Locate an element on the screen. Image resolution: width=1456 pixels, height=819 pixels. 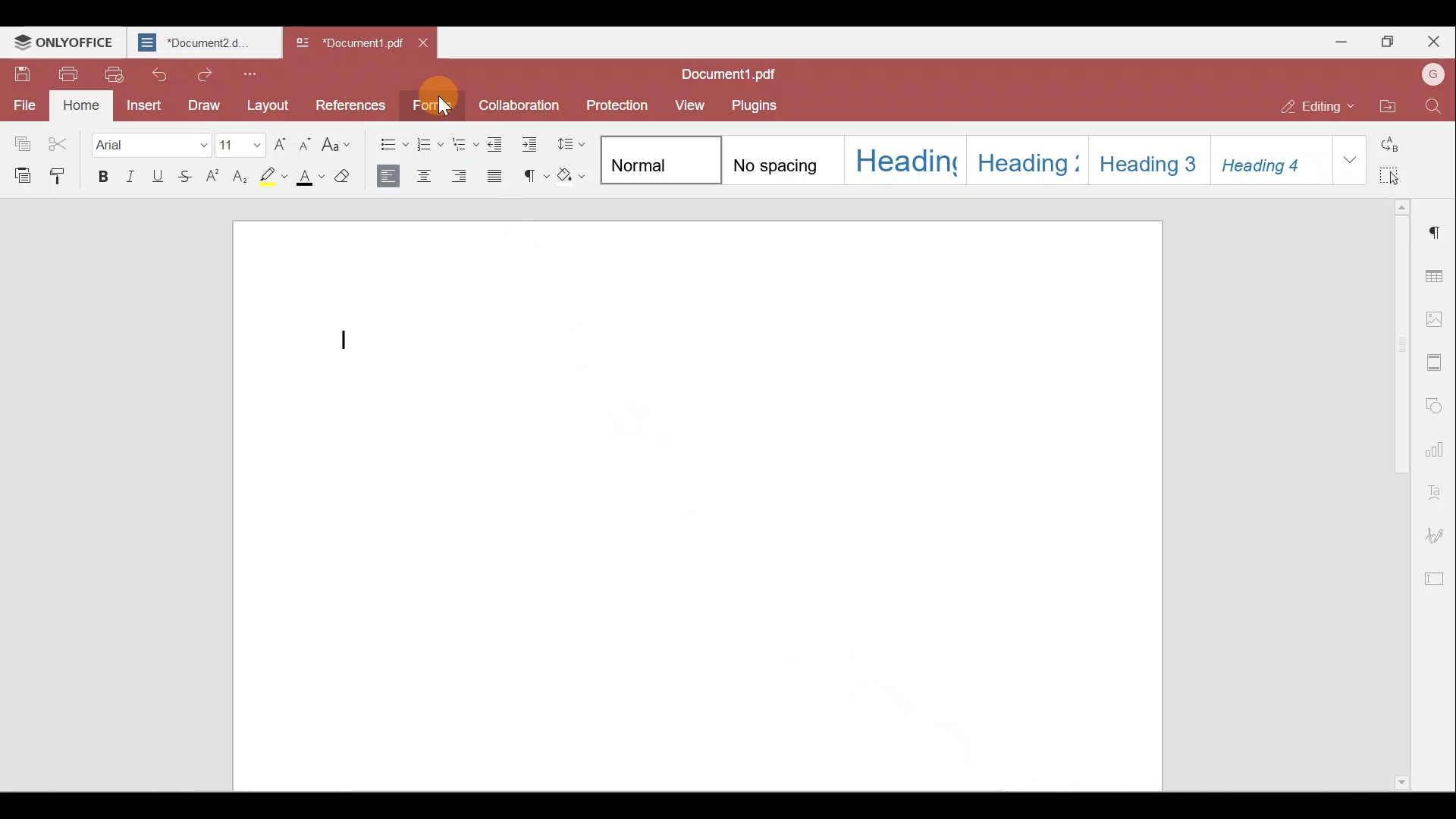
Undo is located at coordinates (155, 74).